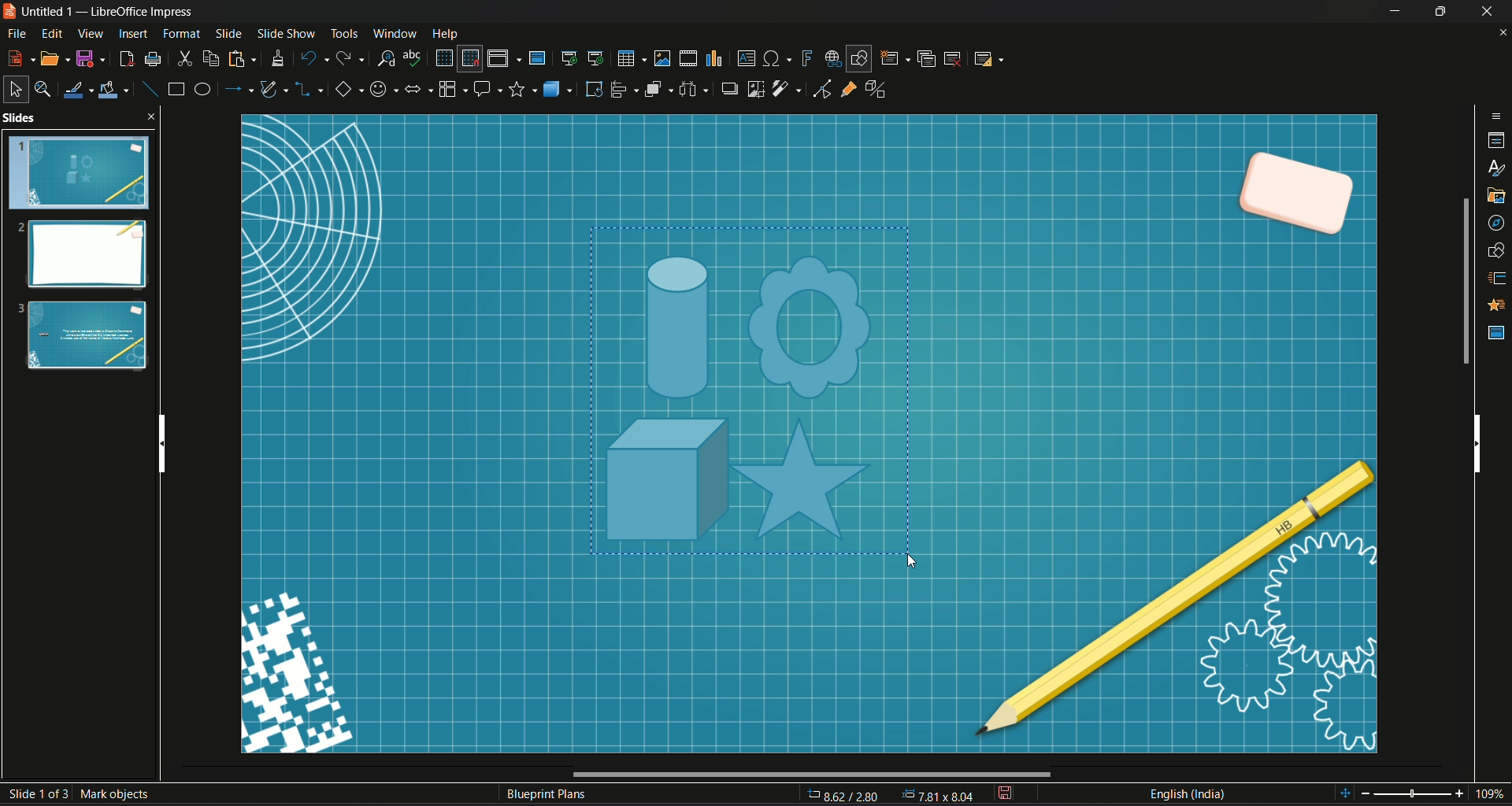  What do you see at coordinates (559, 88) in the screenshot?
I see `3D objects` at bounding box center [559, 88].